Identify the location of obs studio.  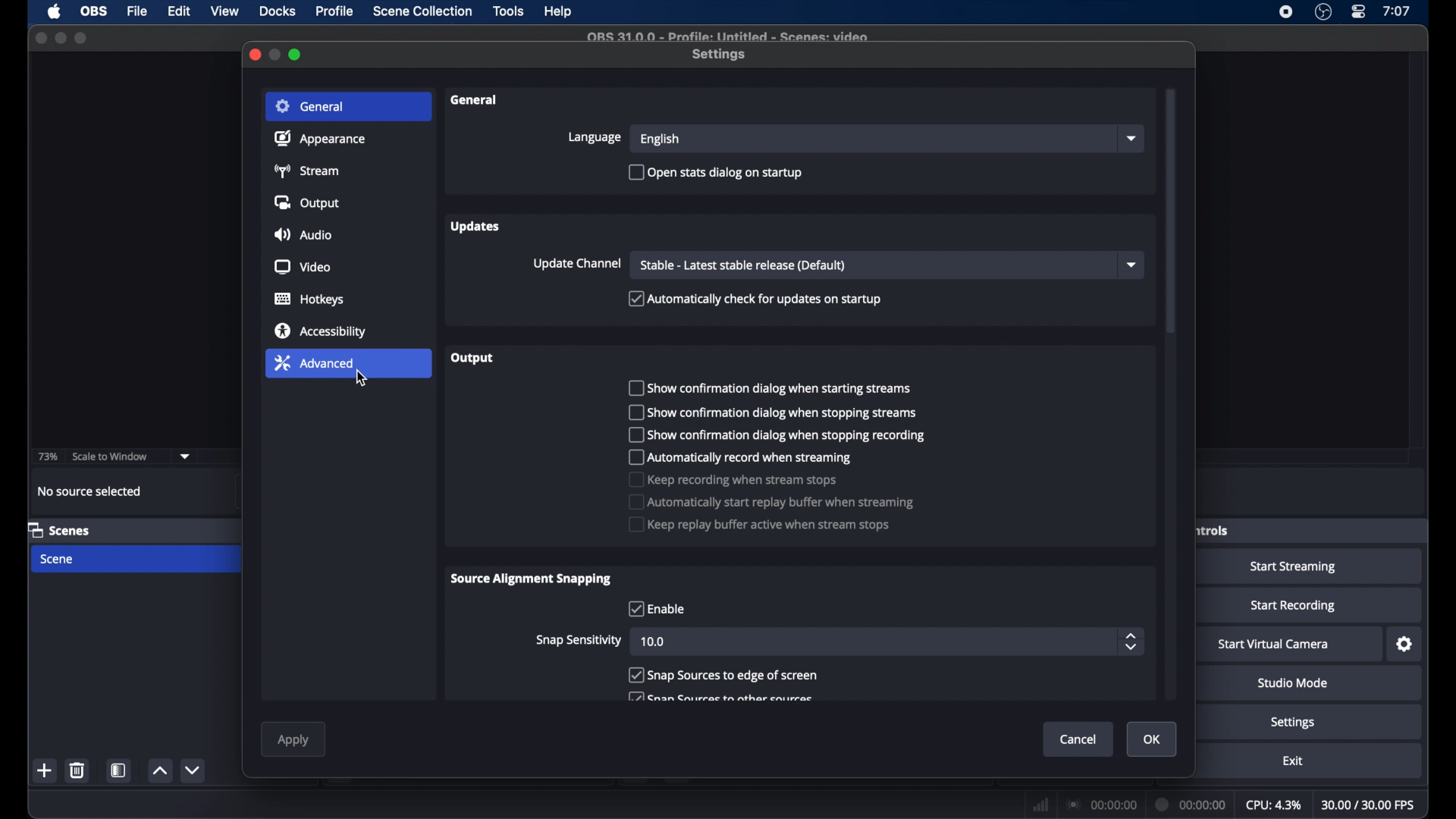
(1323, 12).